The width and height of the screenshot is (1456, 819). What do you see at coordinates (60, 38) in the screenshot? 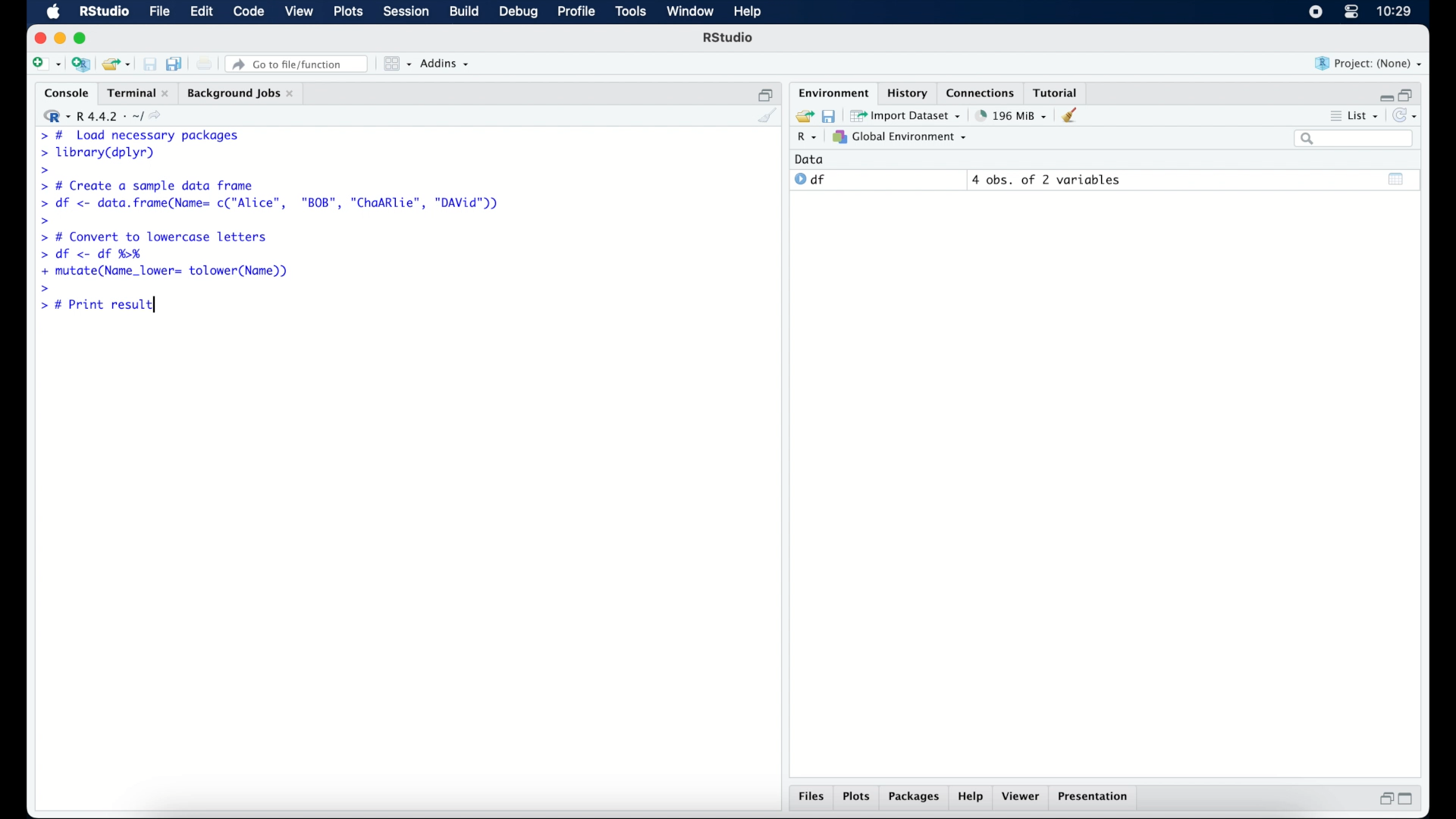
I see `minimize` at bounding box center [60, 38].